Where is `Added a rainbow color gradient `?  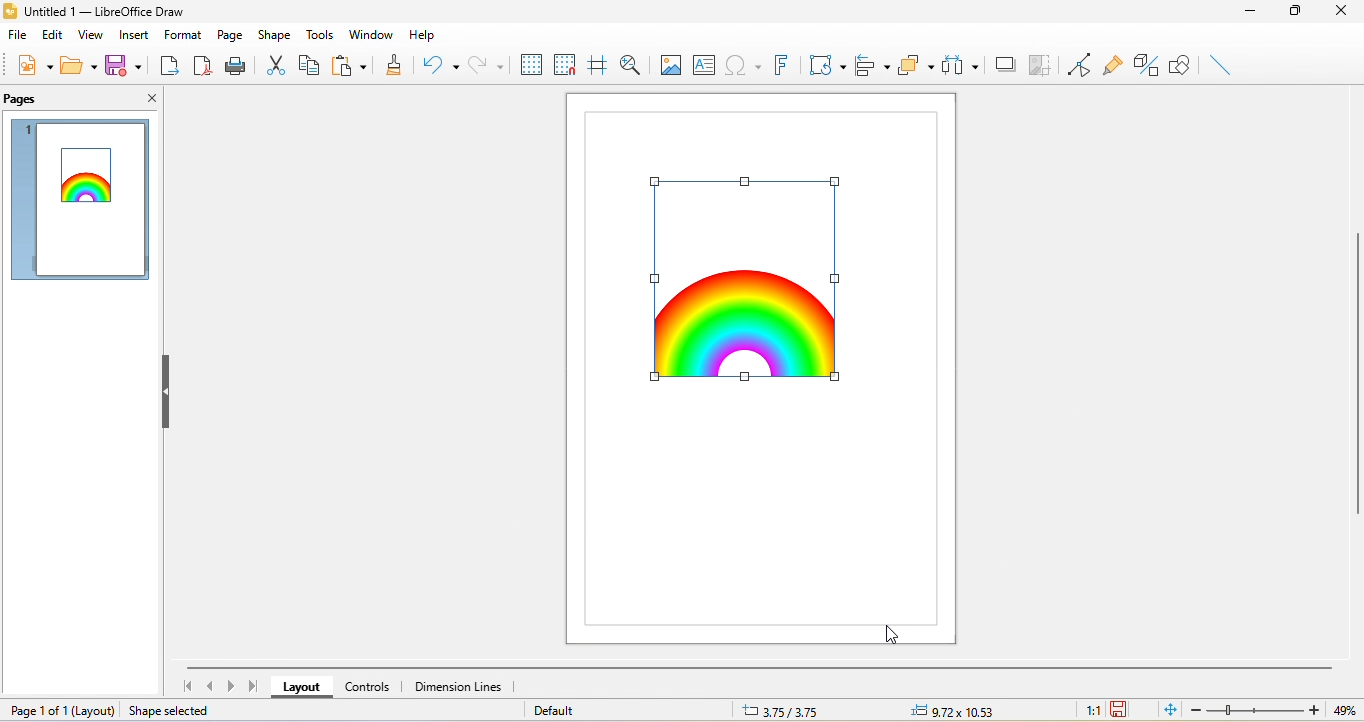
Added a rainbow color gradient  is located at coordinates (744, 278).